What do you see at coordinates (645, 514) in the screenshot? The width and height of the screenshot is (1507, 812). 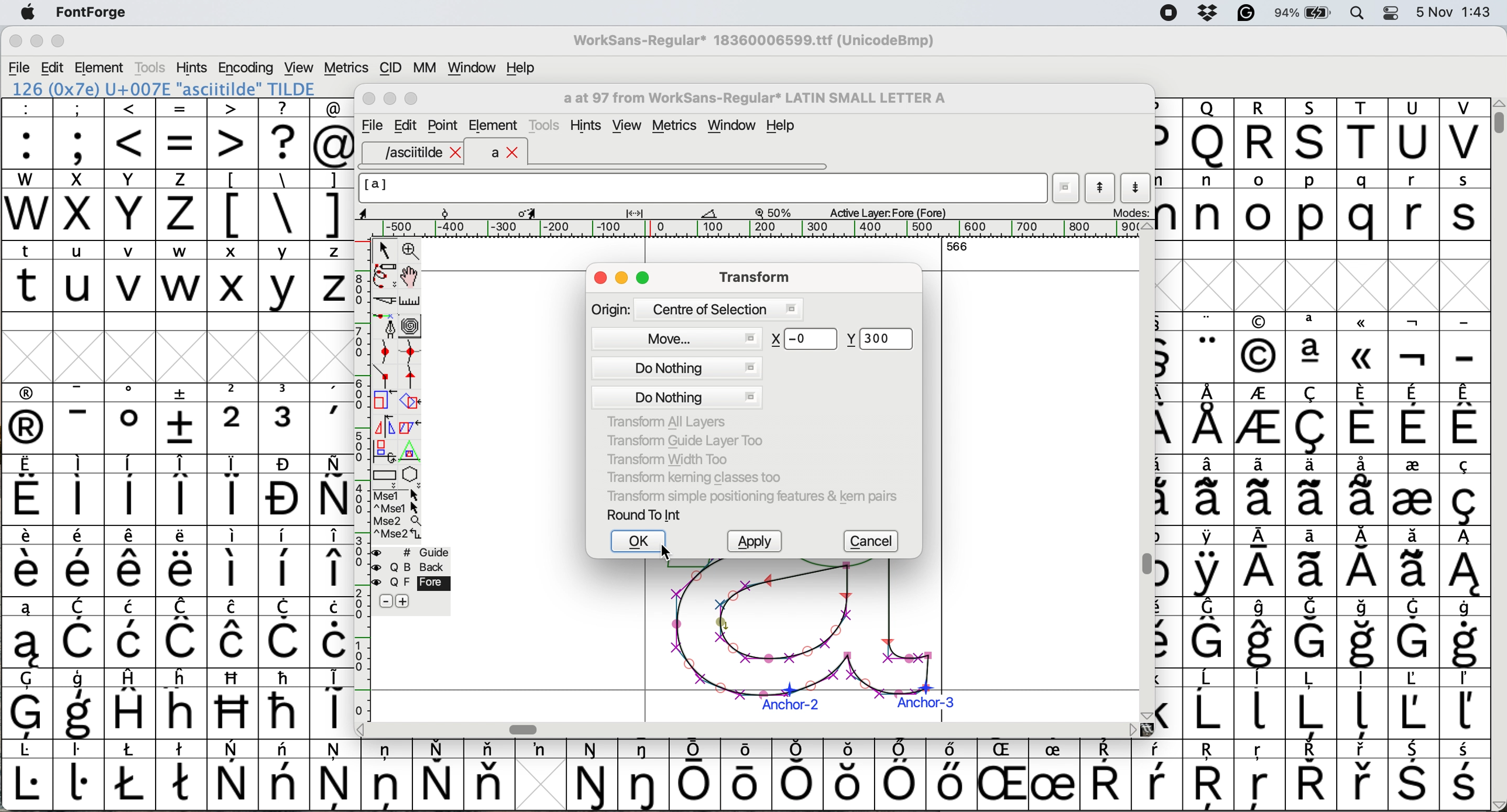 I see `round to int` at bounding box center [645, 514].